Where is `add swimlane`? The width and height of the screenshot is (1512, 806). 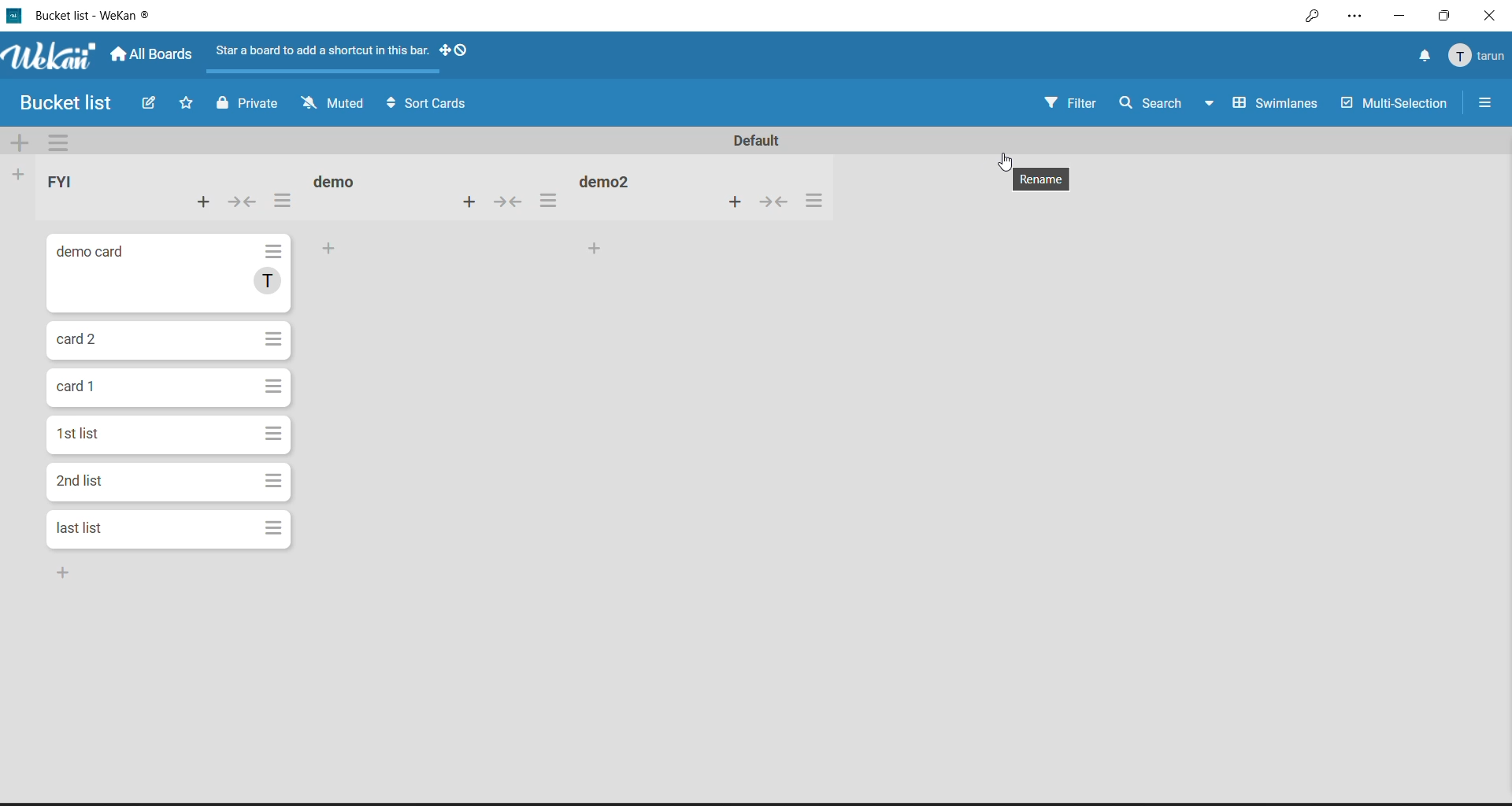
add swimlane is located at coordinates (22, 141).